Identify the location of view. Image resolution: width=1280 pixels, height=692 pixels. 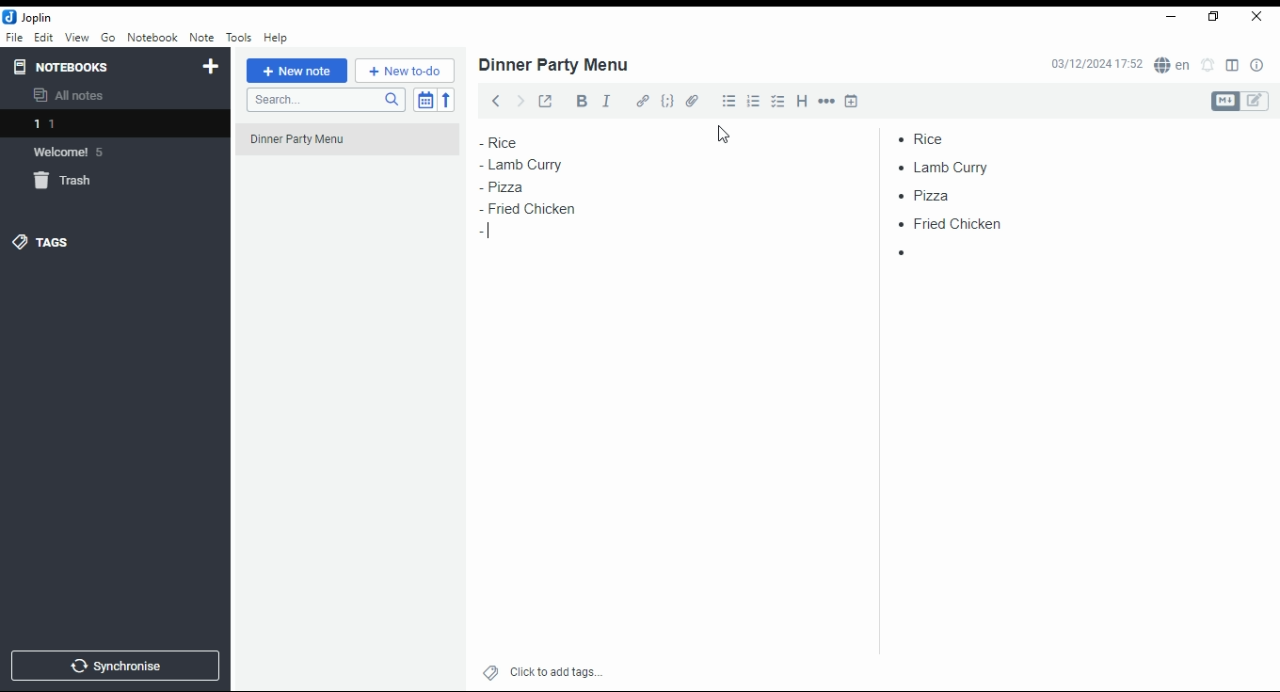
(76, 38).